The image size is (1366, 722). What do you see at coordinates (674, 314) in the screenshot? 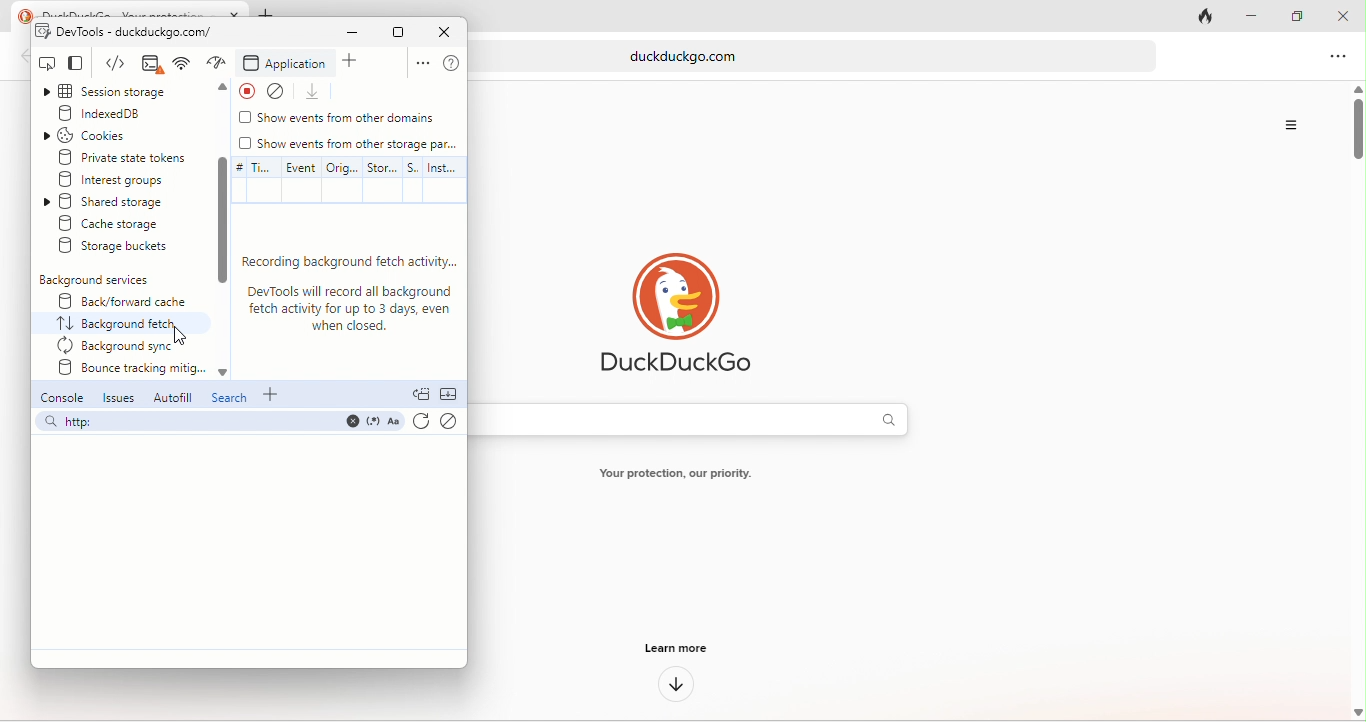
I see `duck duck go logo` at bounding box center [674, 314].